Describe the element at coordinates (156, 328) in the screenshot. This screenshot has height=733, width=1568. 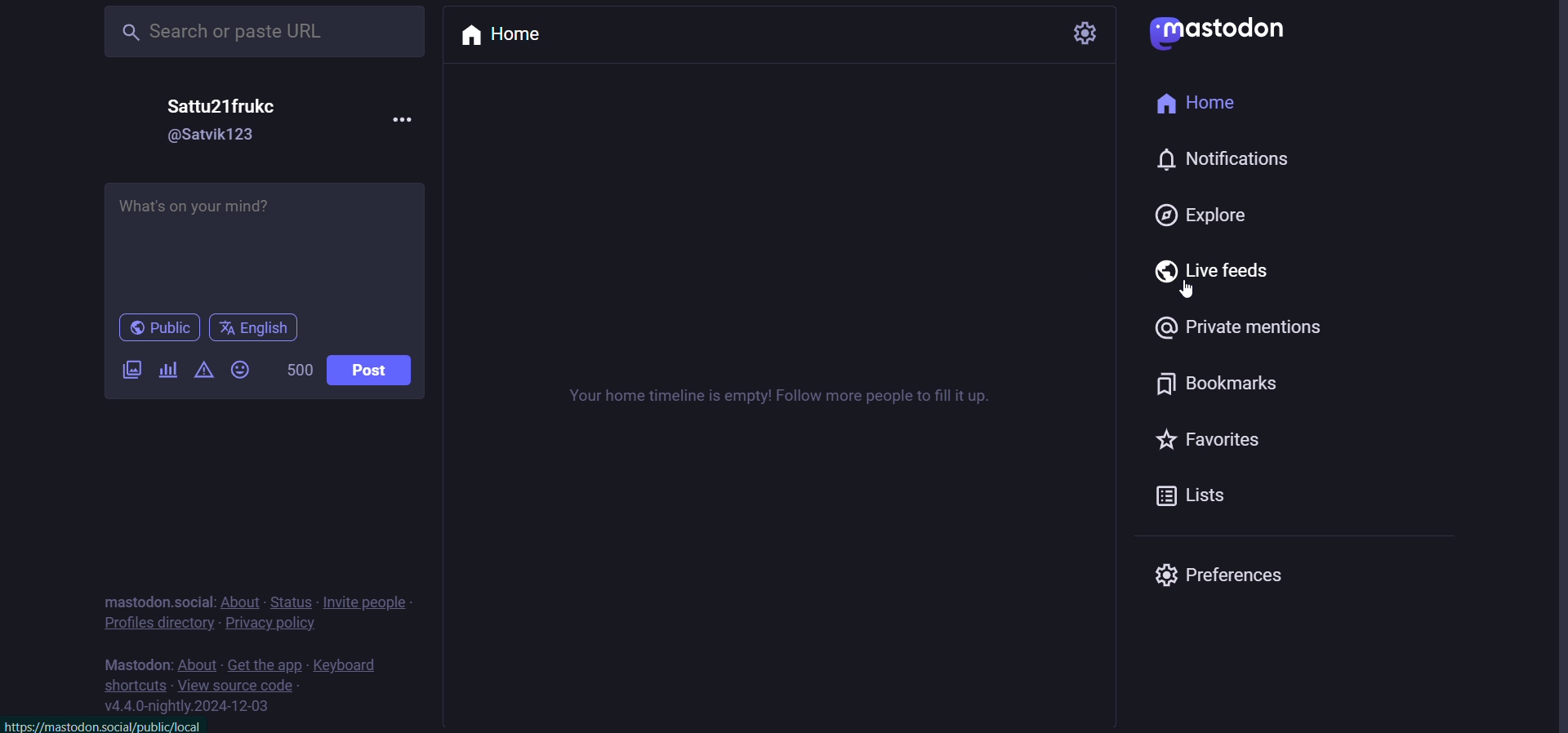
I see `public` at that location.